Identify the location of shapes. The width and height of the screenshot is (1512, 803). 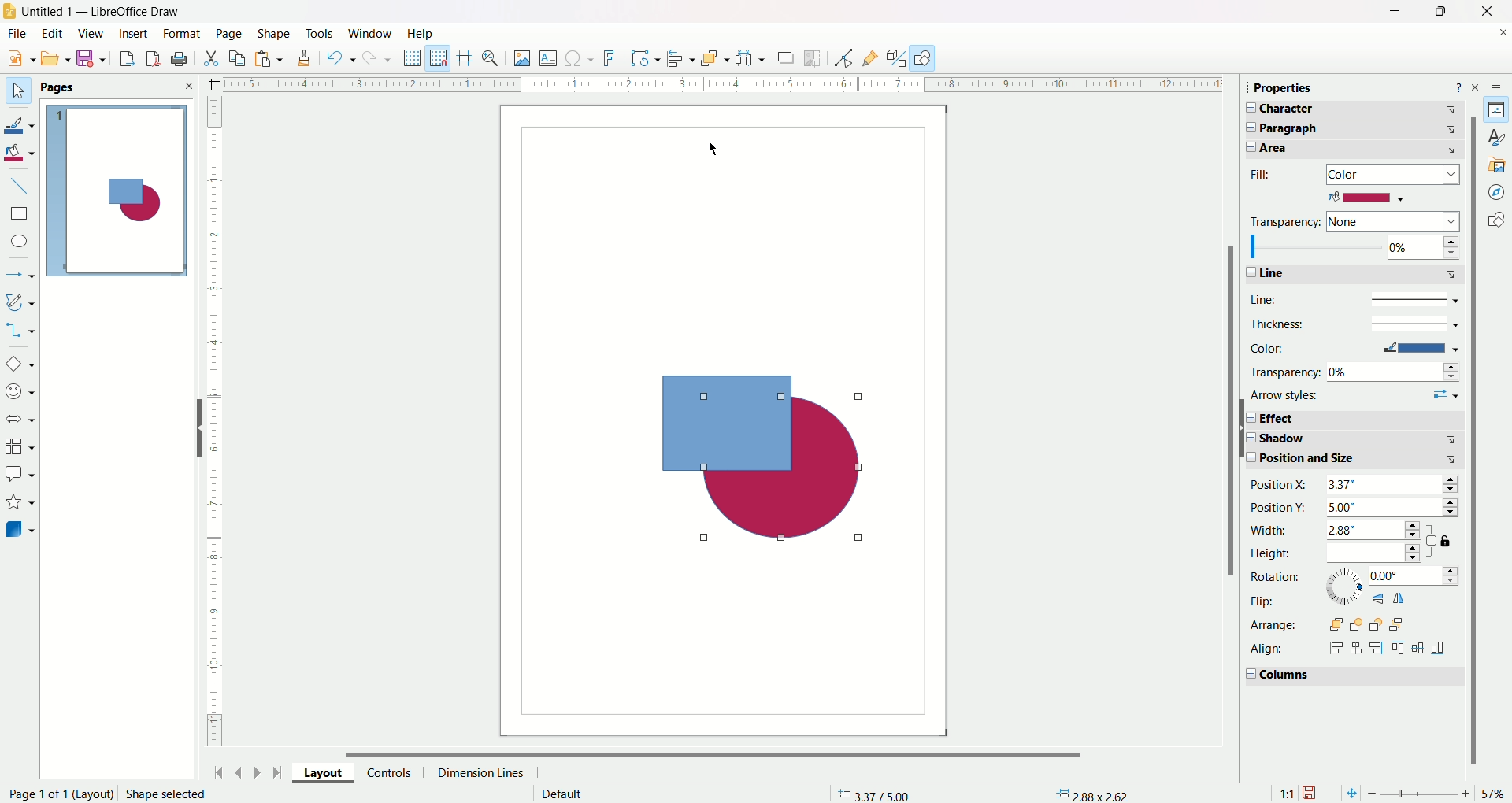
(773, 455).